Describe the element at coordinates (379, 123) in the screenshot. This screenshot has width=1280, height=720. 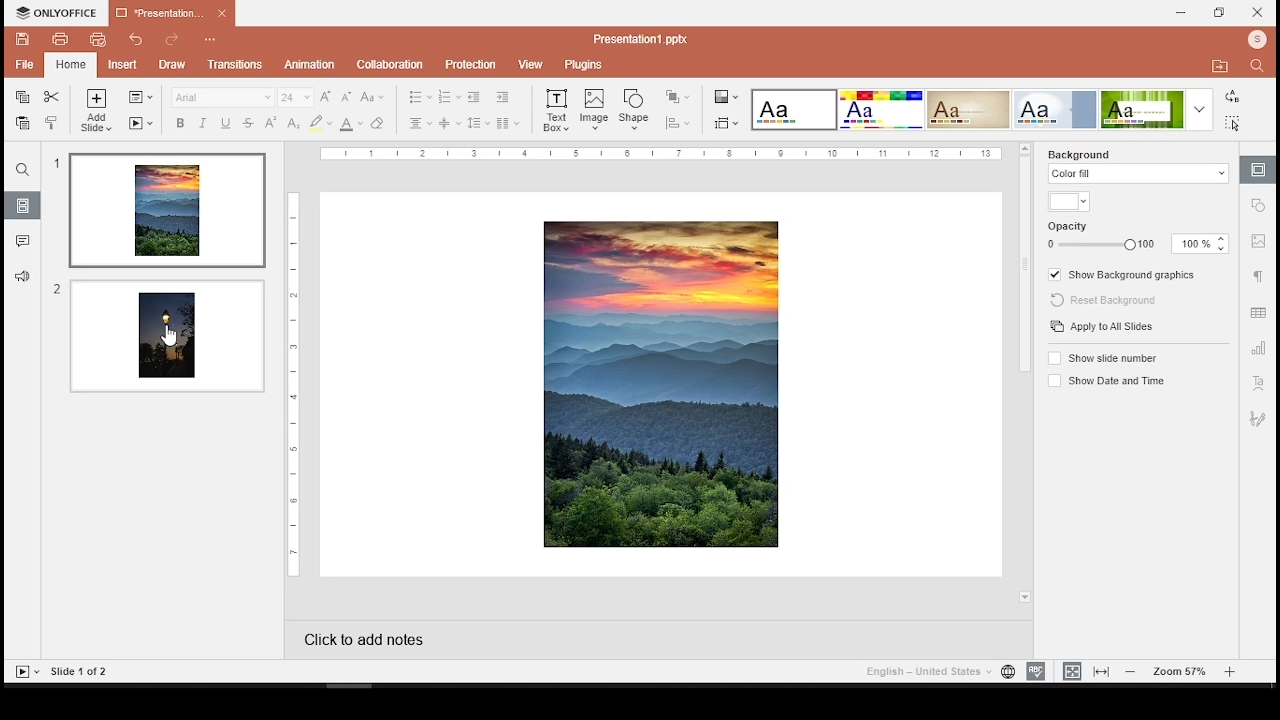
I see `eraser tools` at that location.